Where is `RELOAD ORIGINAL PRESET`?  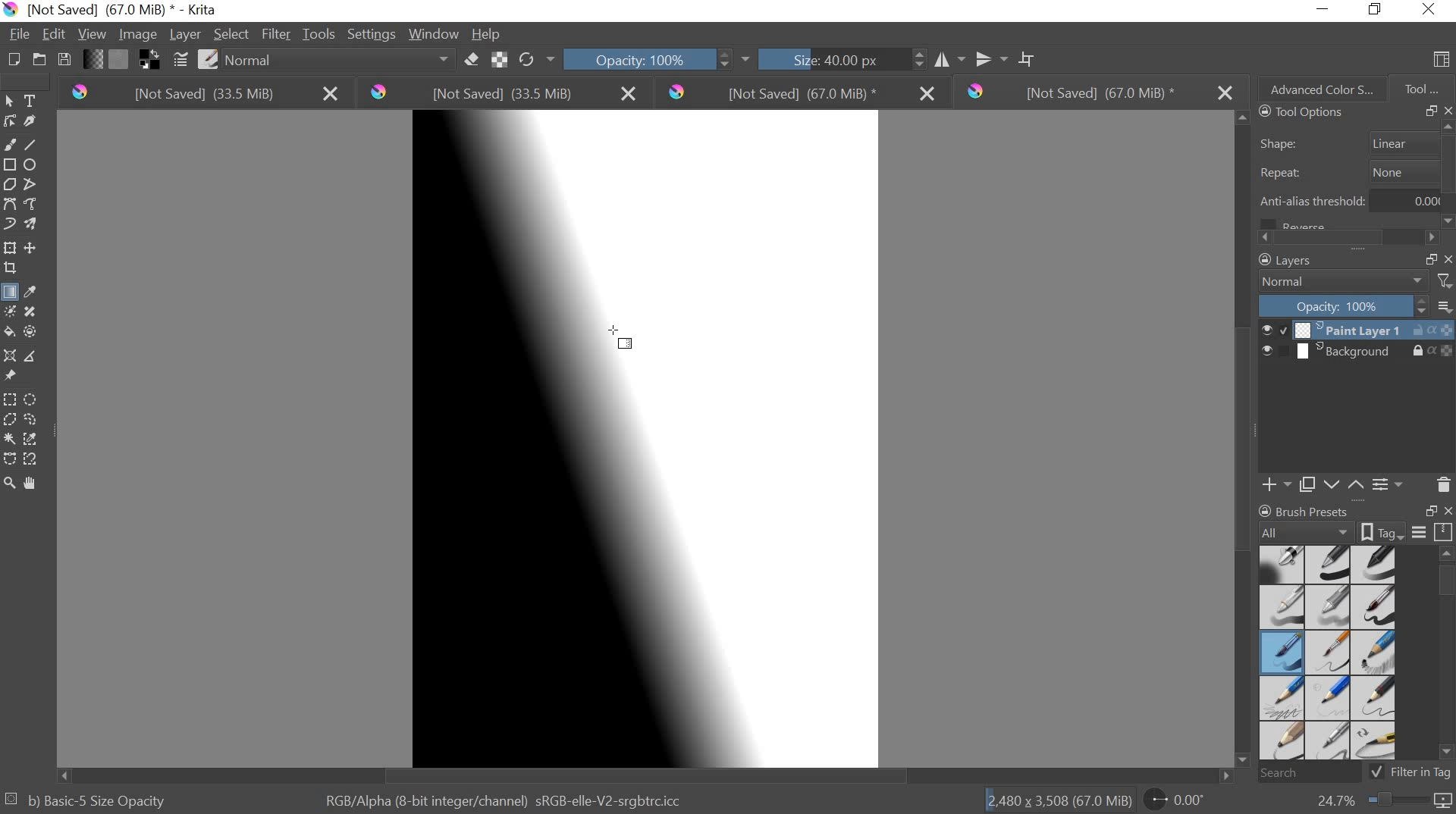
RELOAD ORIGINAL PRESET is located at coordinates (540, 58).